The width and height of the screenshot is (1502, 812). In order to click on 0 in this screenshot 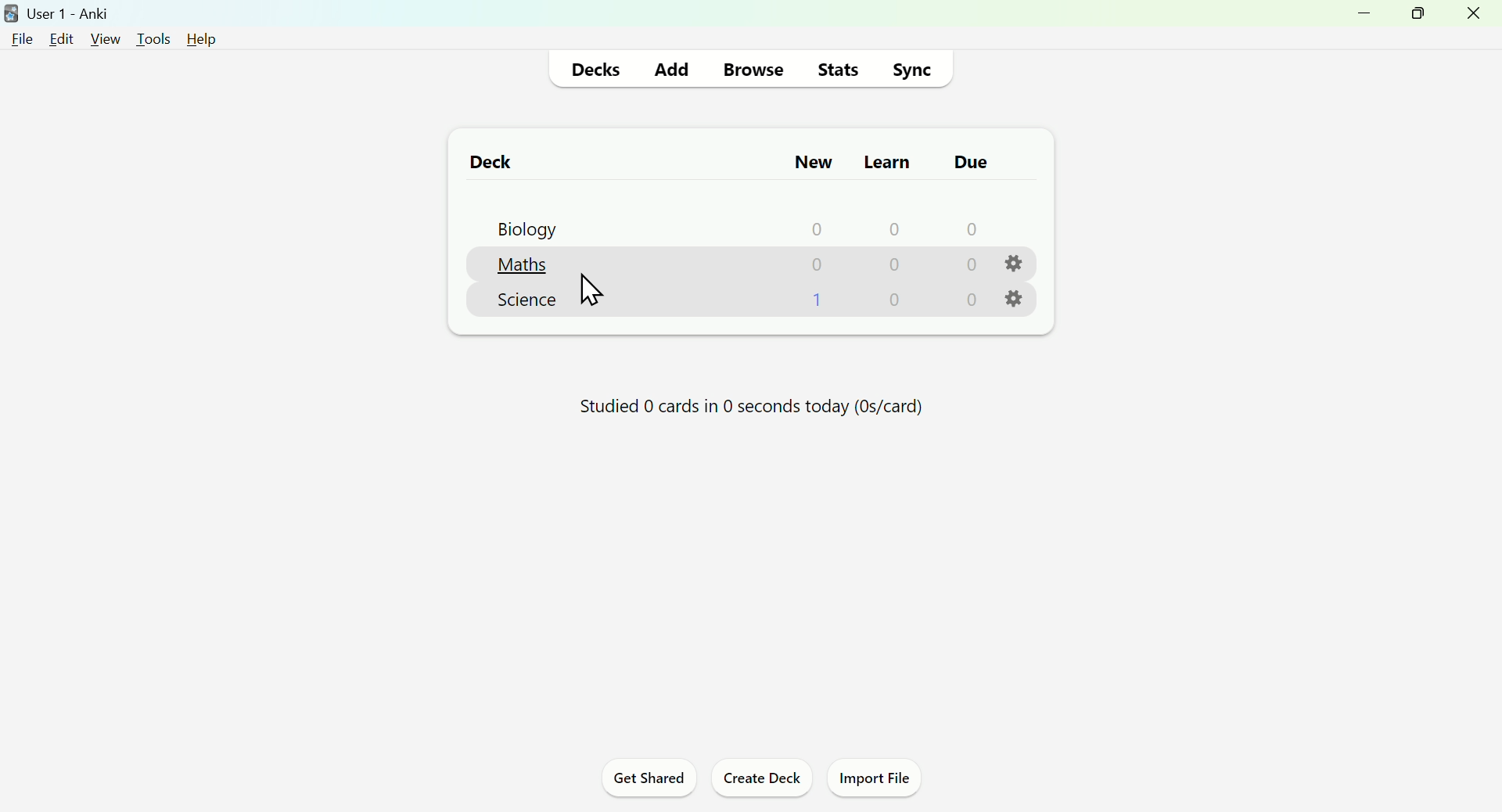, I will do `click(815, 267)`.